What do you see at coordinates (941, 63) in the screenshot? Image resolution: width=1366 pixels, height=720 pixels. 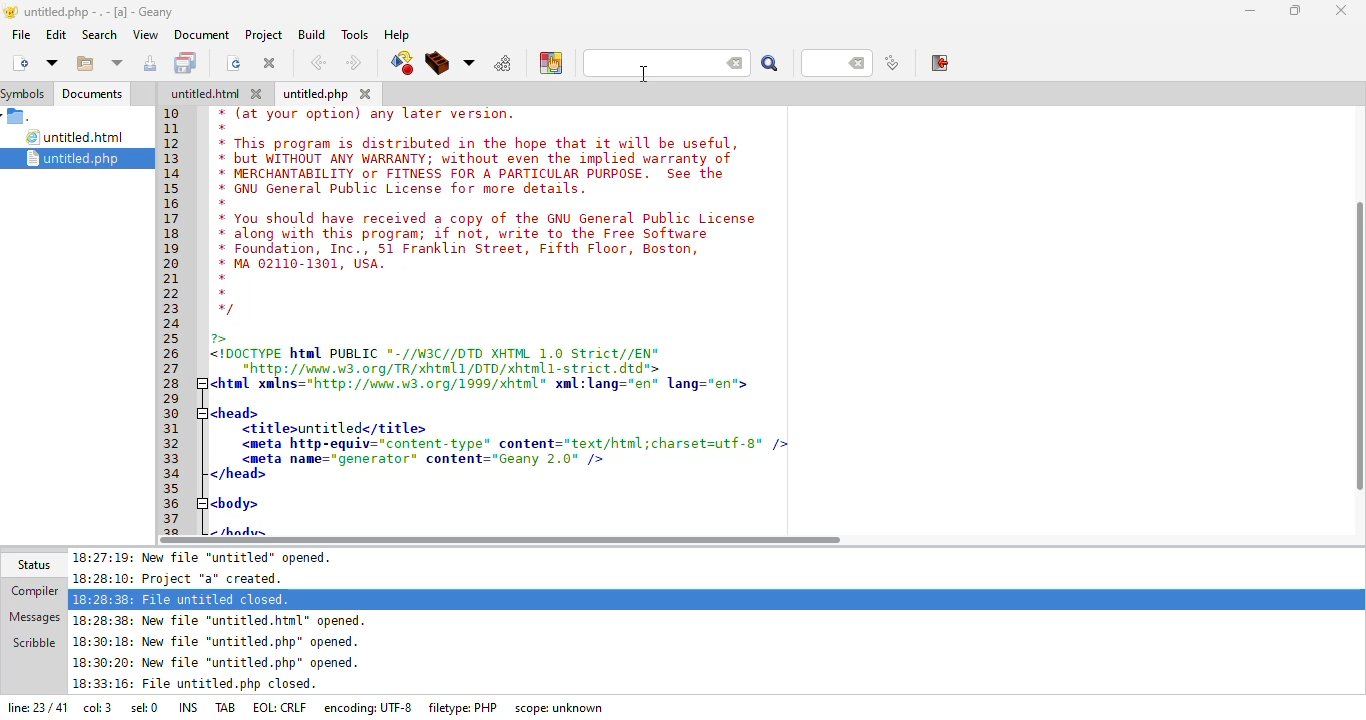 I see `exit` at bounding box center [941, 63].